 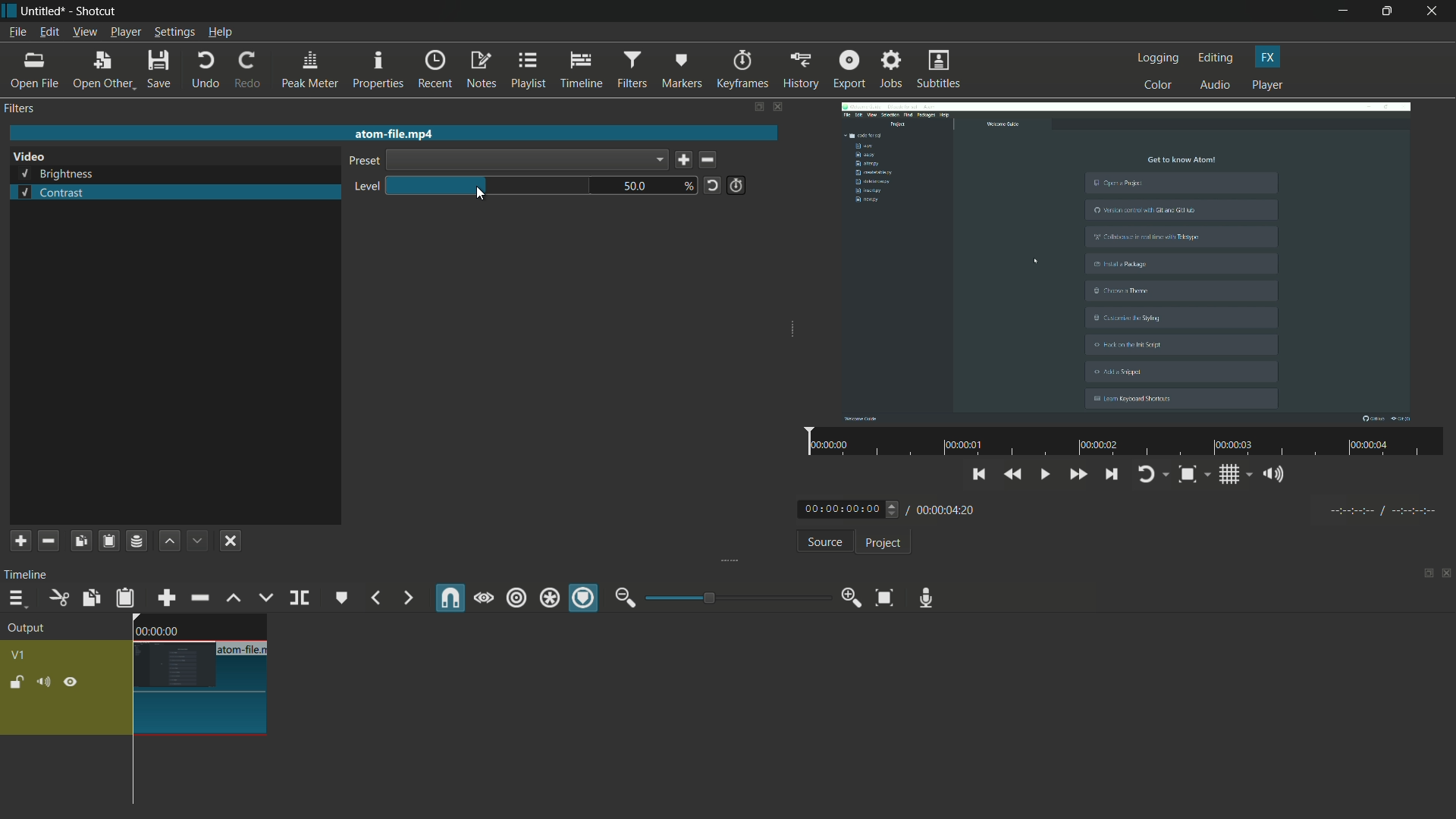 What do you see at coordinates (29, 157) in the screenshot?
I see `video` at bounding box center [29, 157].